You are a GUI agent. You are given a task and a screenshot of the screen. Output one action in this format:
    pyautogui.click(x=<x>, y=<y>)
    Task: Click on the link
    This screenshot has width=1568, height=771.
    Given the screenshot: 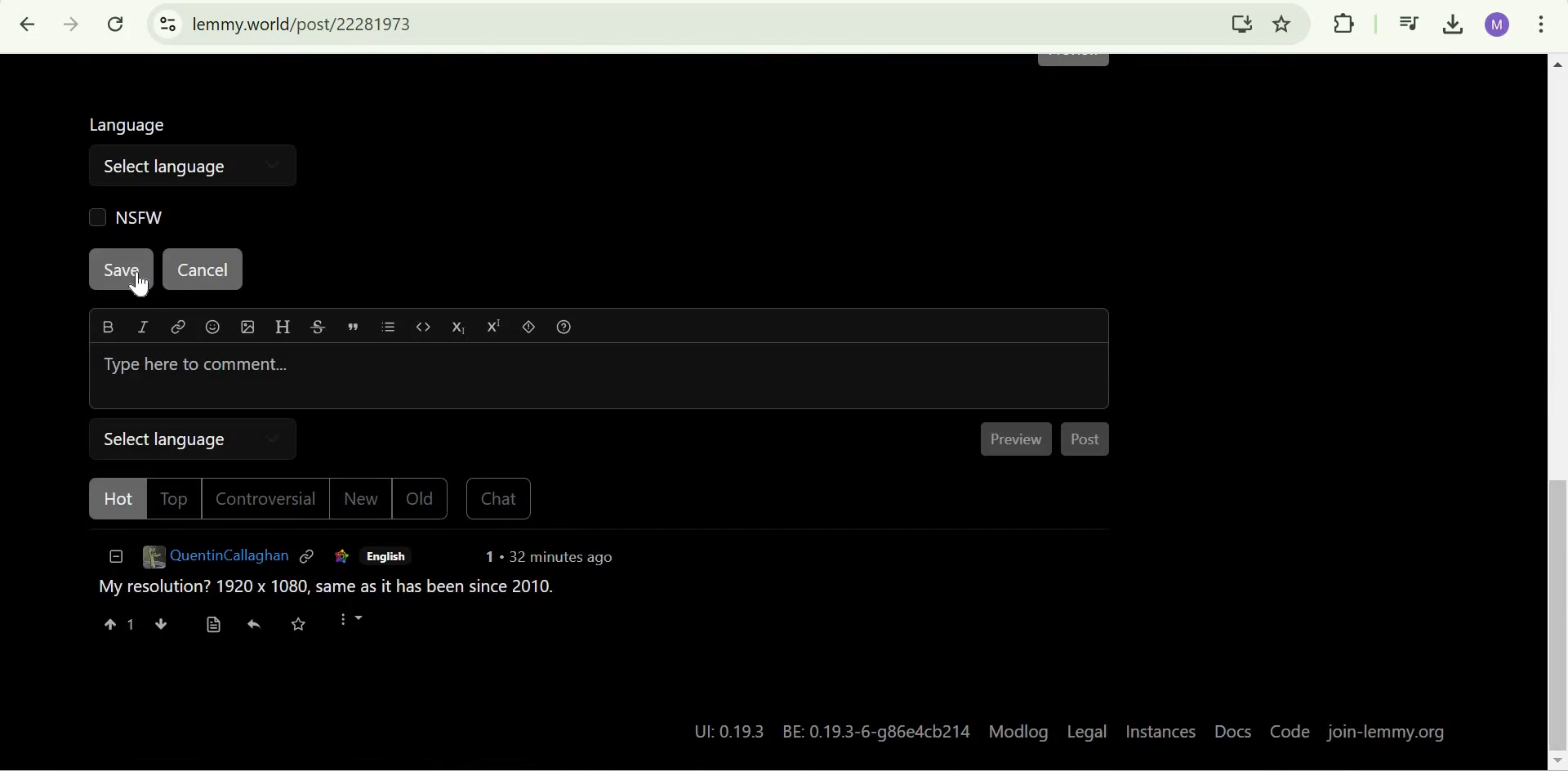 What is the action you would take?
    pyautogui.click(x=309, y=559)
    